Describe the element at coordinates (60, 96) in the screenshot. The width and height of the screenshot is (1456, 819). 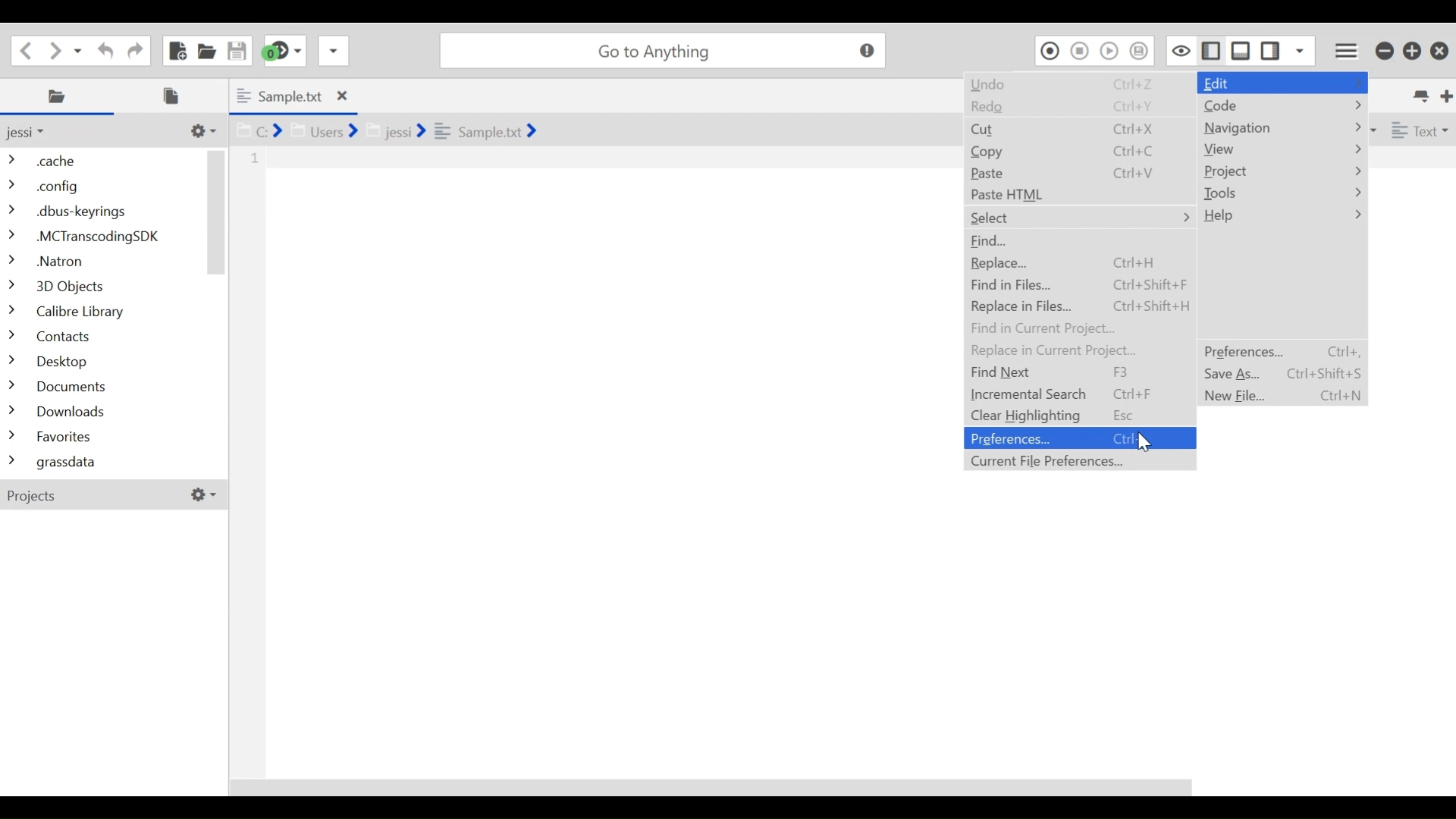
I see `Places` at that location.